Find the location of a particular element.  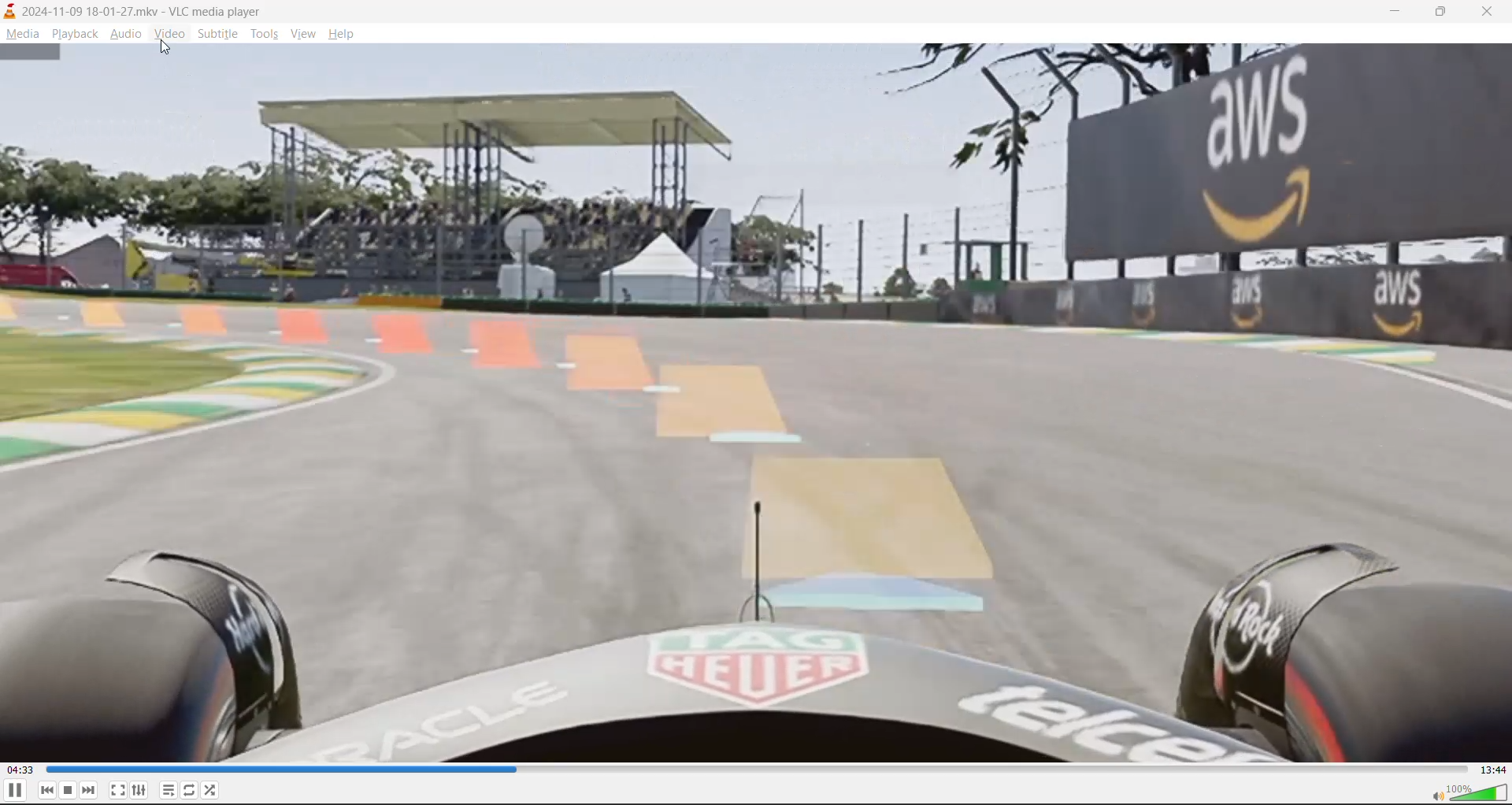

toggle loop is located at coordinates (189, 788).